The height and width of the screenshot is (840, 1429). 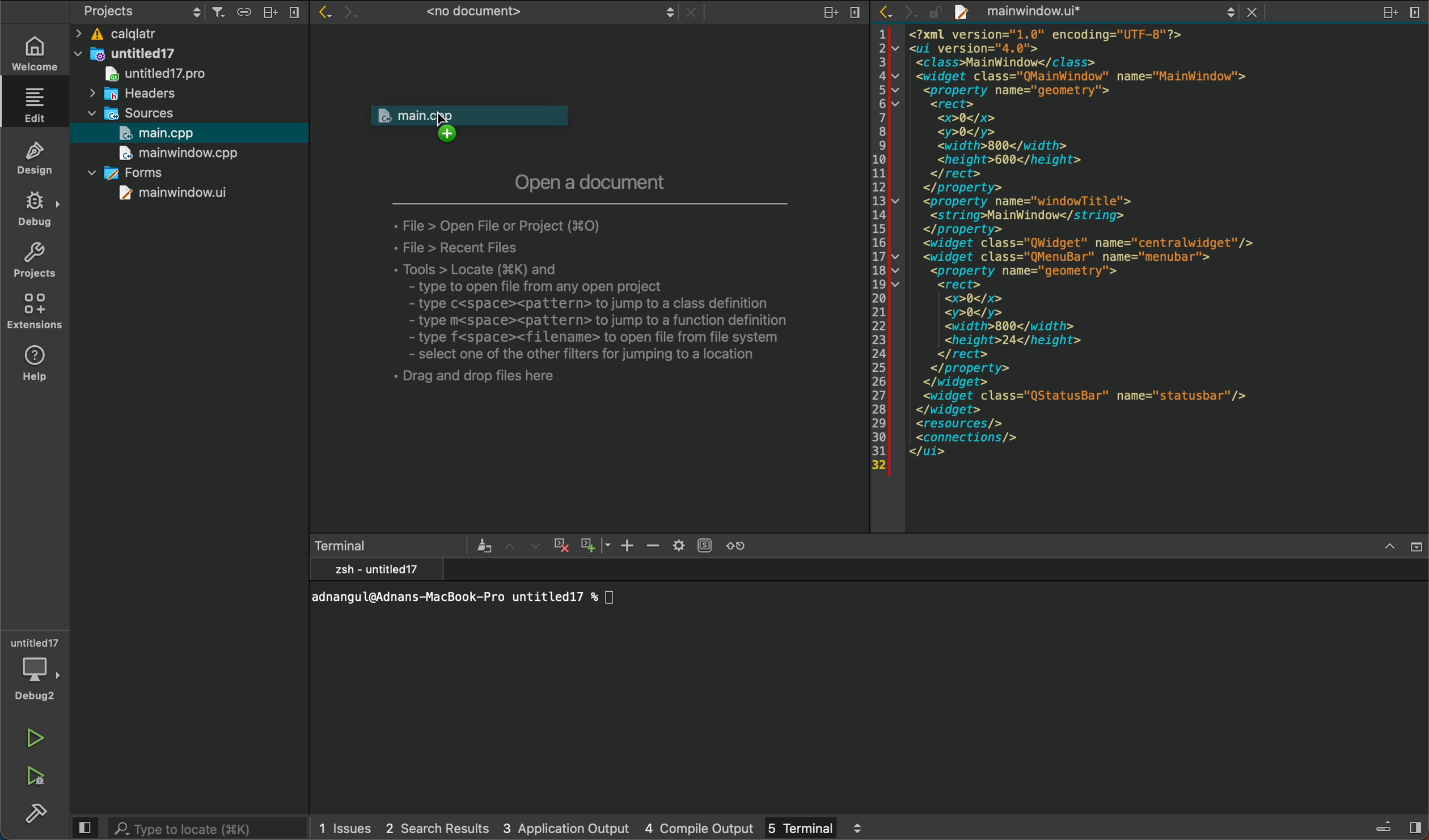 What do you see at coordinates (40, 773) in the screenshot?
I see `run and debug` at bounding box center [40, 773].